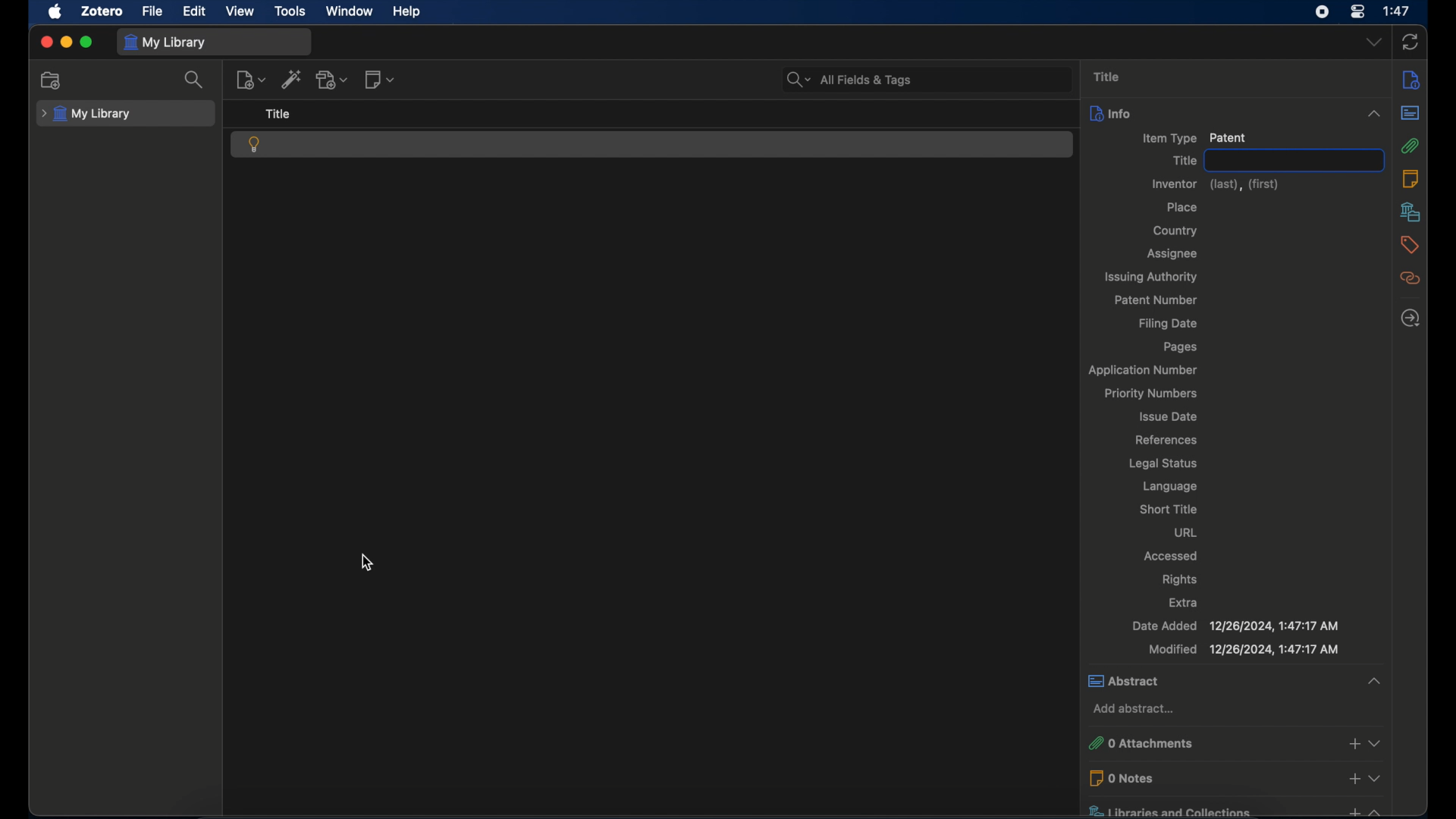 This screenshot has width=1456, height=819. I want to click on Collapse or expand , so click(1377, 777).